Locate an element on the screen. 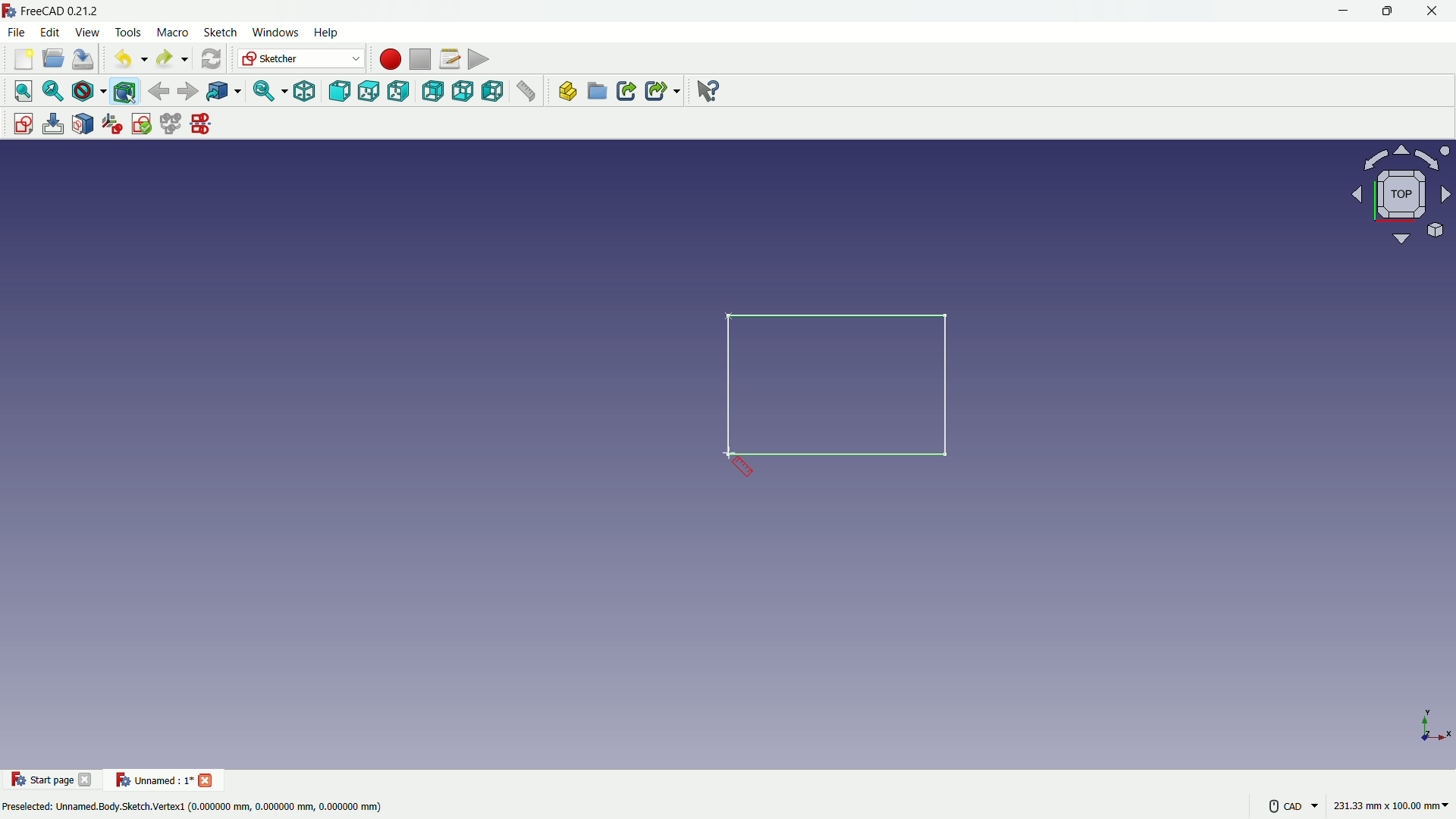 Image resolution: width=1456 pixels, height=819 pixels. create part is located at coordinates (564, 93).